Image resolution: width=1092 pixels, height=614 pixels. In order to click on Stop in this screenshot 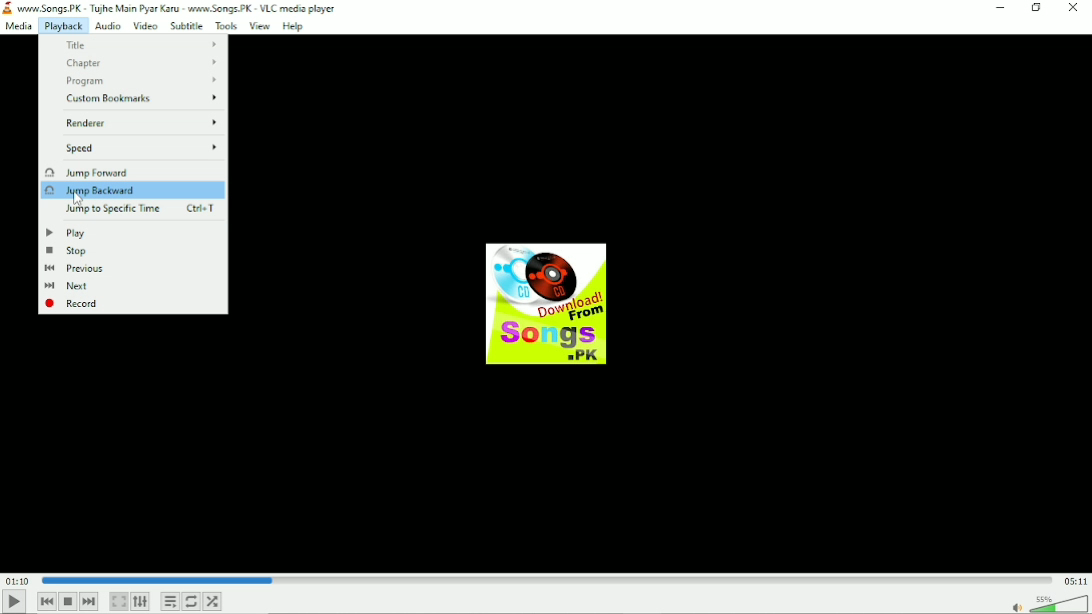, I will do `click(67, 251)`.